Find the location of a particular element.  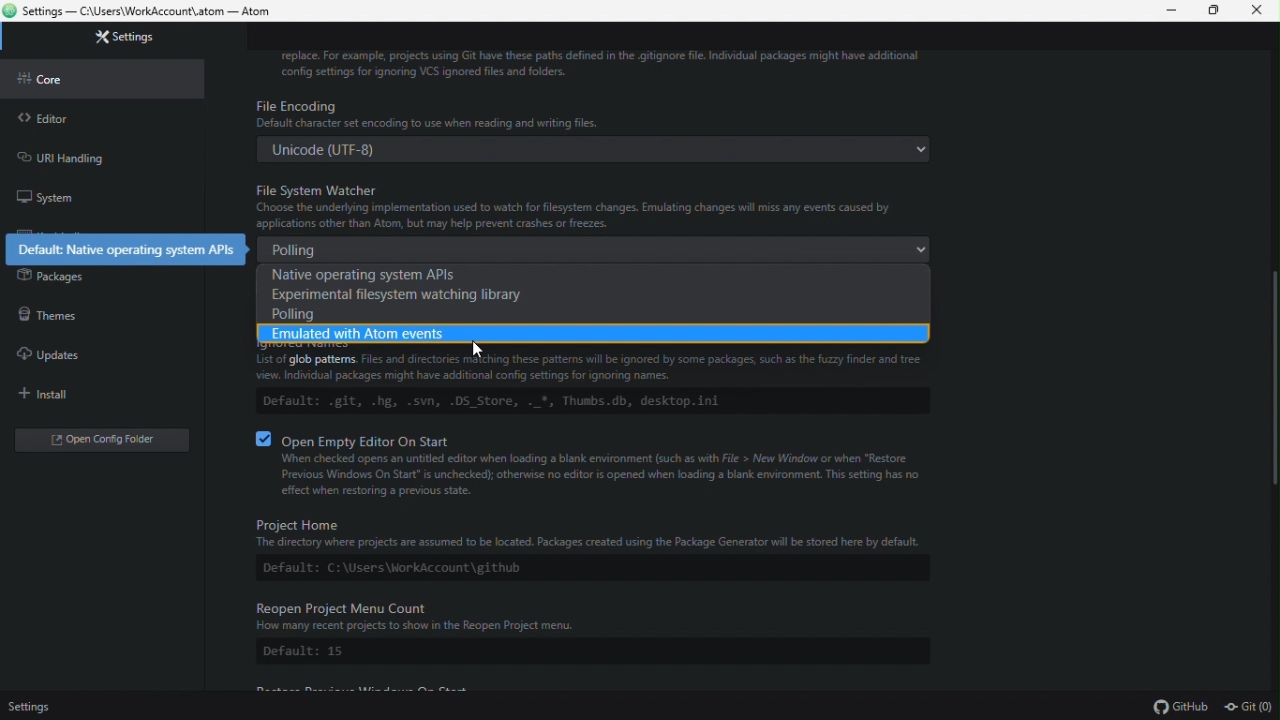

Themes is located at coordinates (90, 312).